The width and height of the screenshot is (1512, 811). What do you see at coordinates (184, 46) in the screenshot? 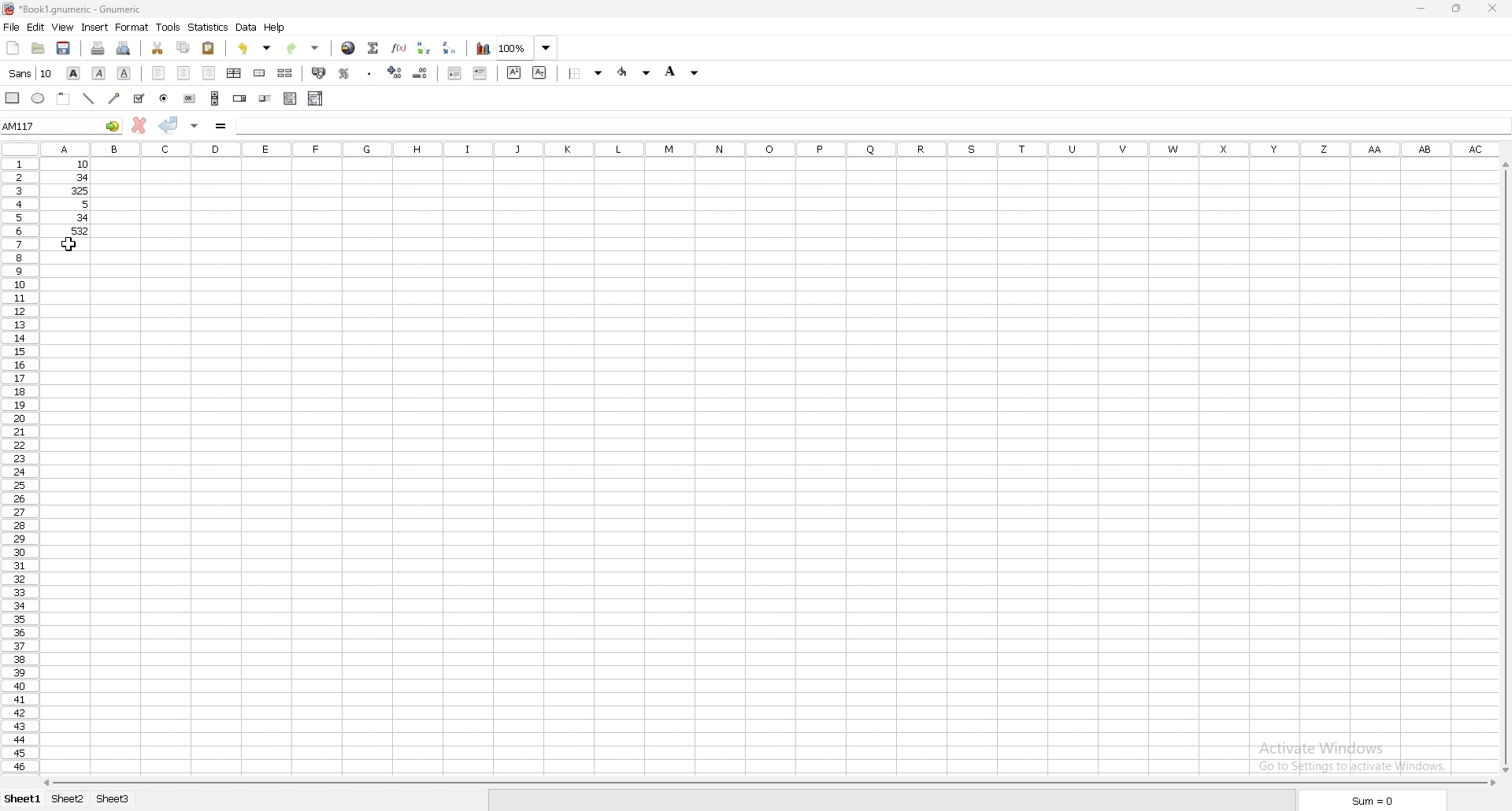
I see `copy` at bounding box center [184, 46].